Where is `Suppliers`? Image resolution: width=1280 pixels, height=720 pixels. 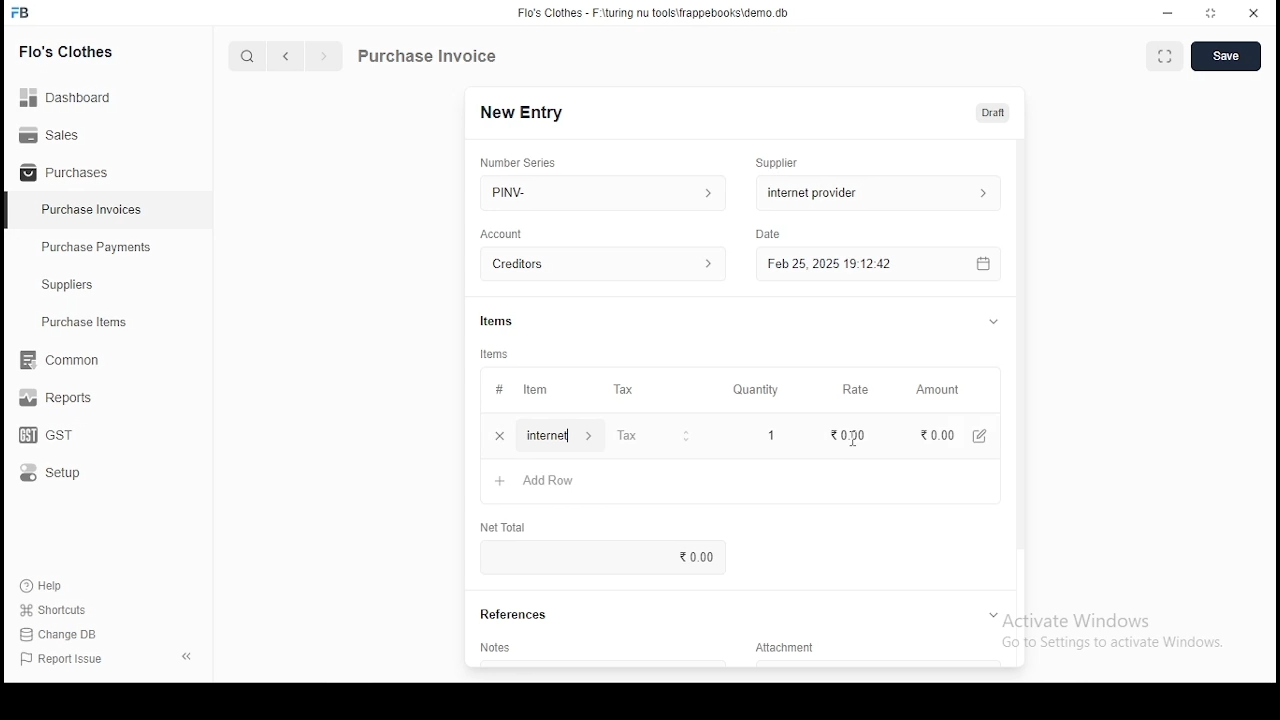
Suppliers is located at coordinates (72, 285).